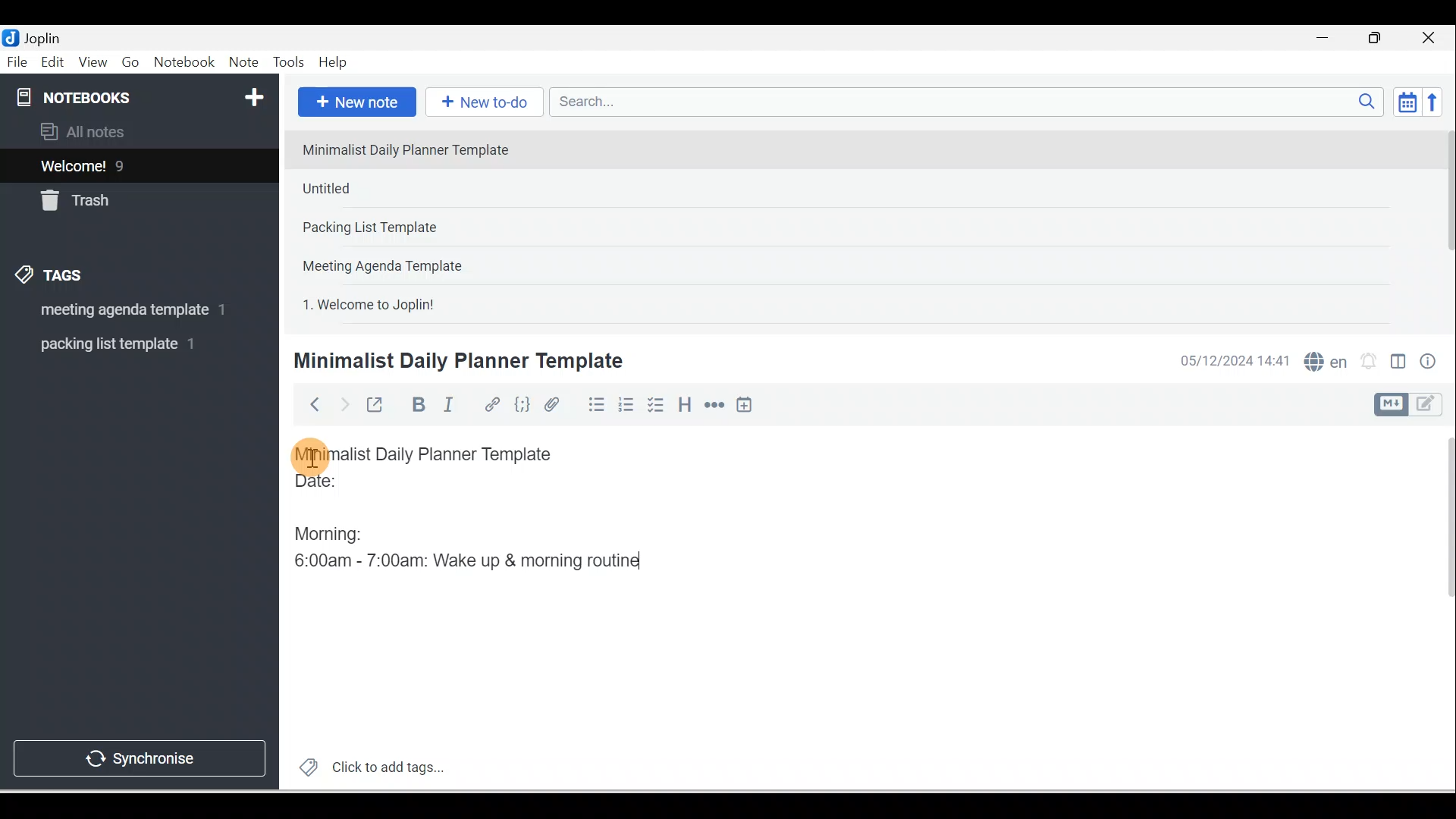  I want to click on Note, so click(242, 63).